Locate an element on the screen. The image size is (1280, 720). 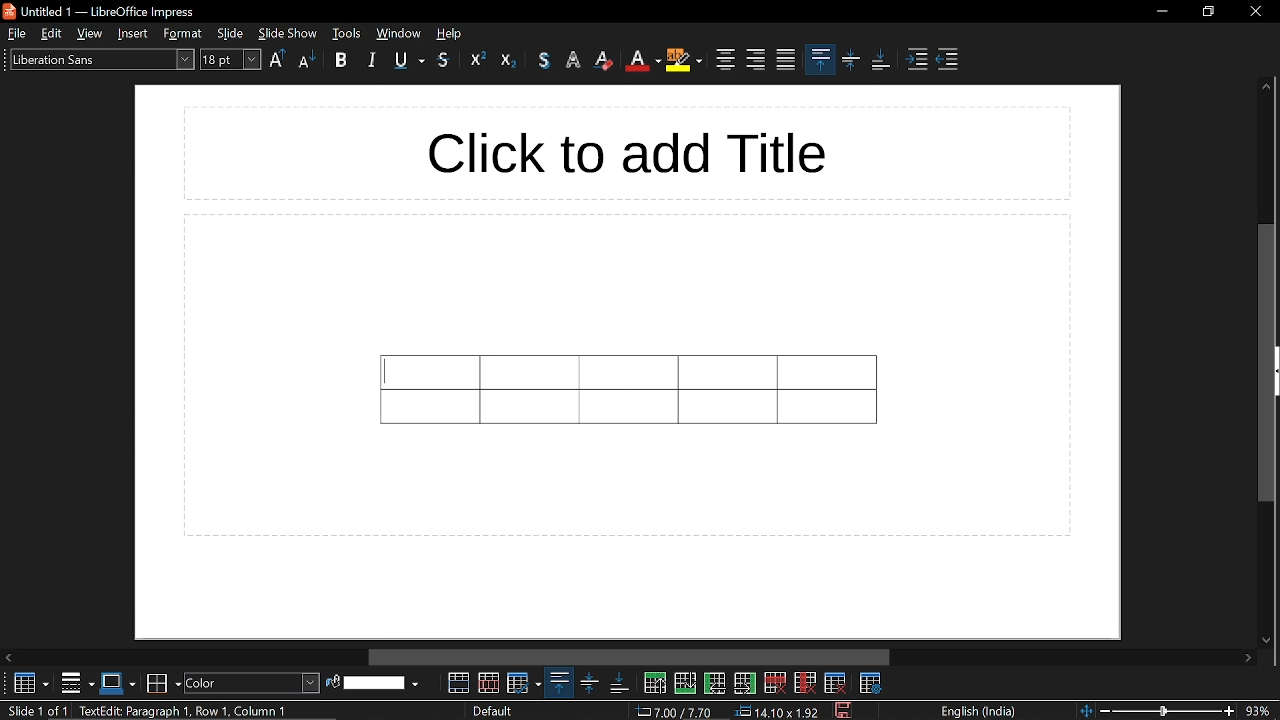
help is located at coordinates (451, 34).